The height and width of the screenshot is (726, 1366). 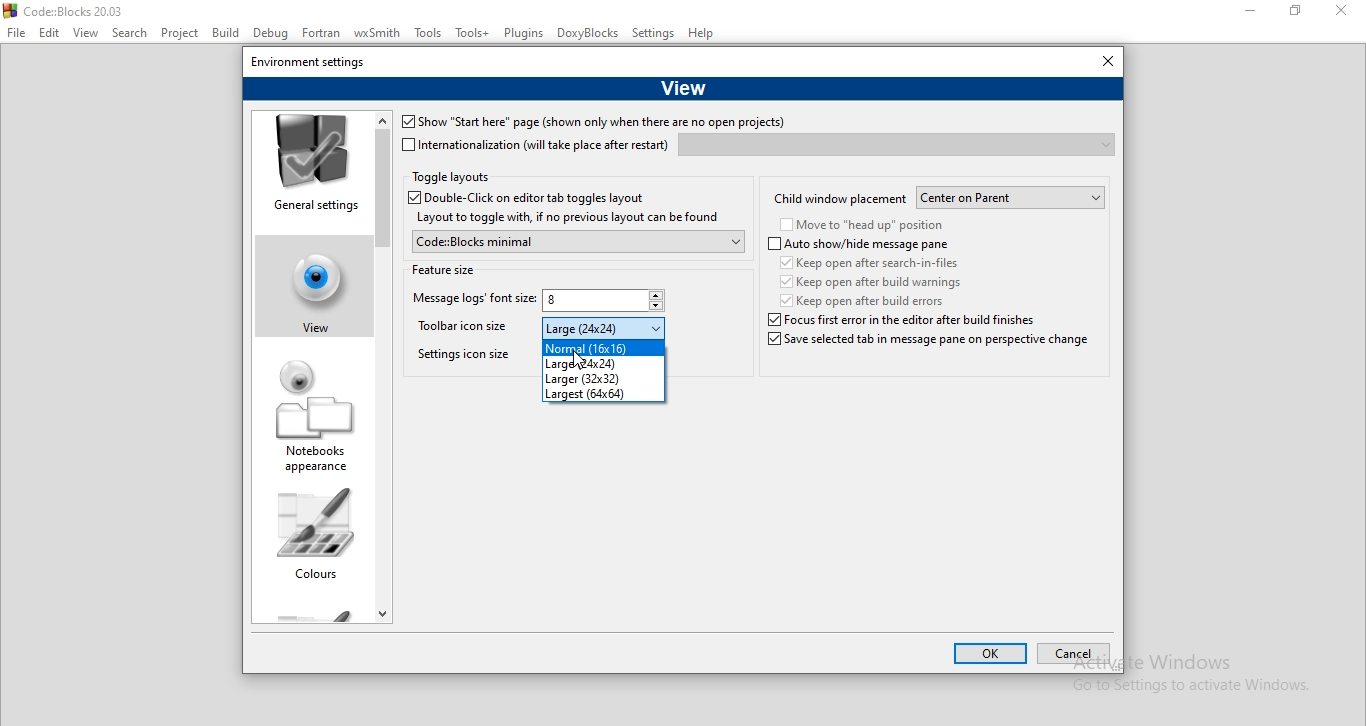 What do you see at coordinates (566, 218) in the screenshot?
I see `Layout to toggle with, if no previous layout can be found` at bounding box center [566, 218].